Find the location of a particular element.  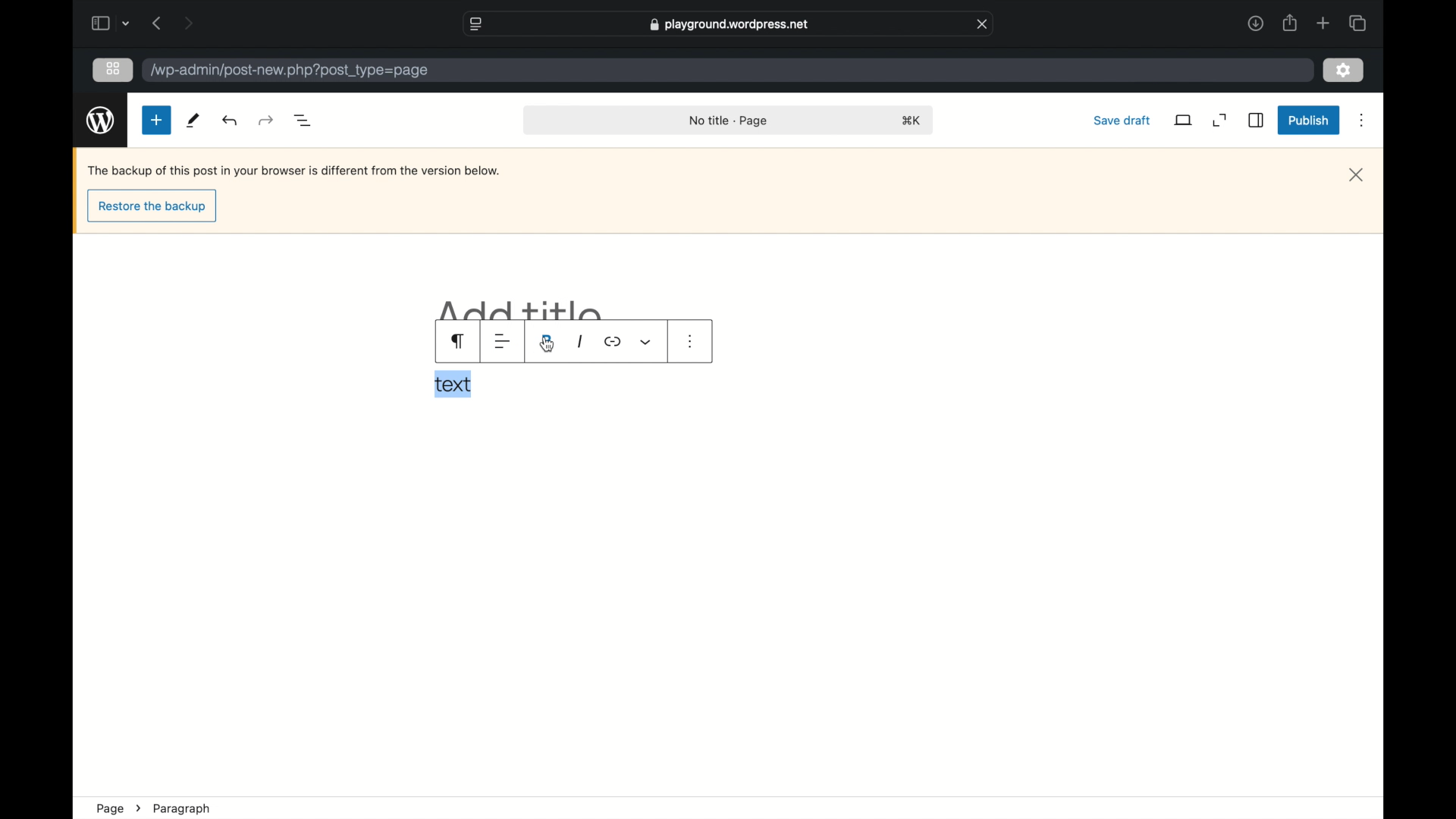

undo is located at coordinates (267, 120).